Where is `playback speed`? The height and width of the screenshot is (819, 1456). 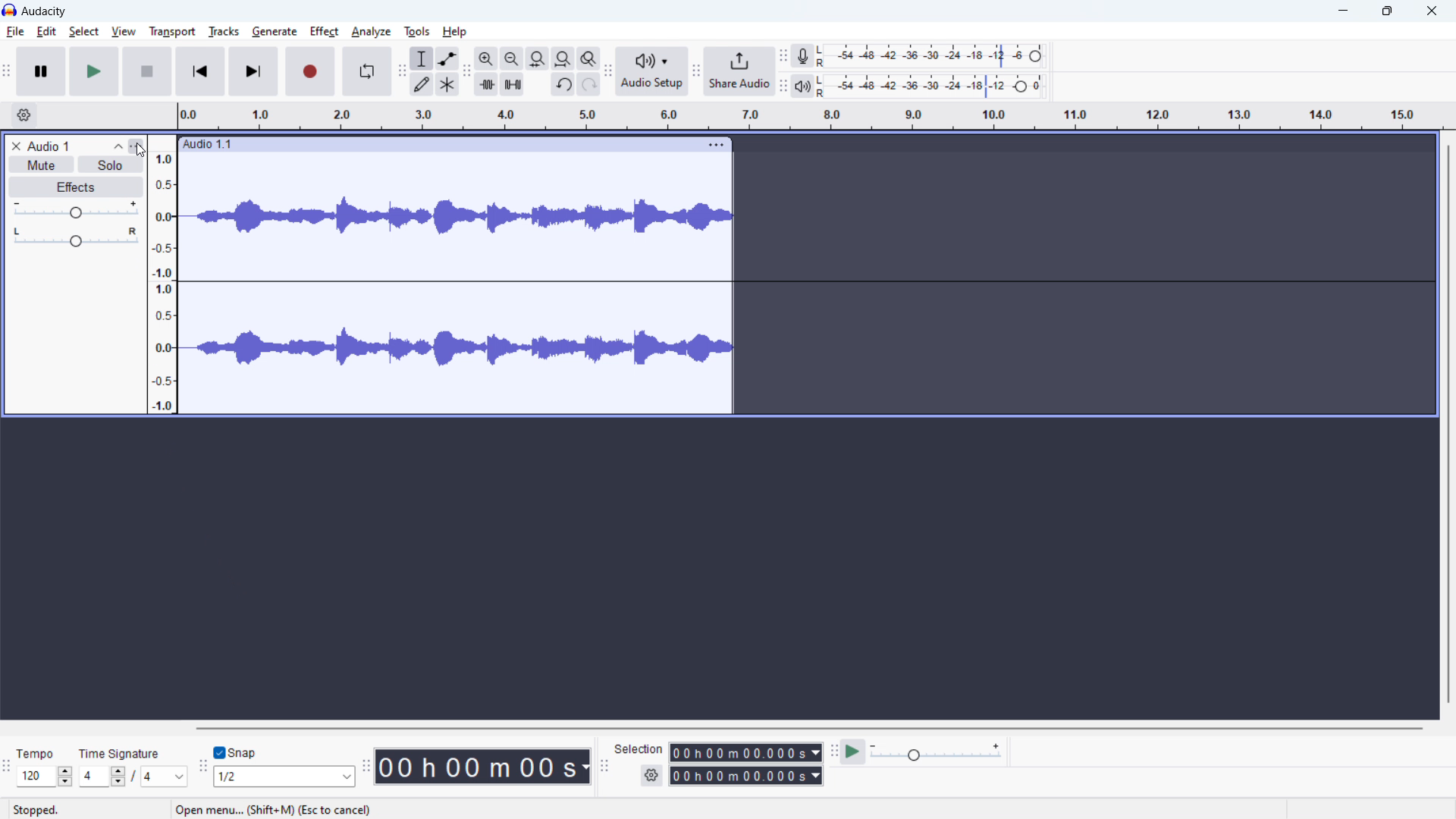
playback speed is located at coordinates (944, 753).